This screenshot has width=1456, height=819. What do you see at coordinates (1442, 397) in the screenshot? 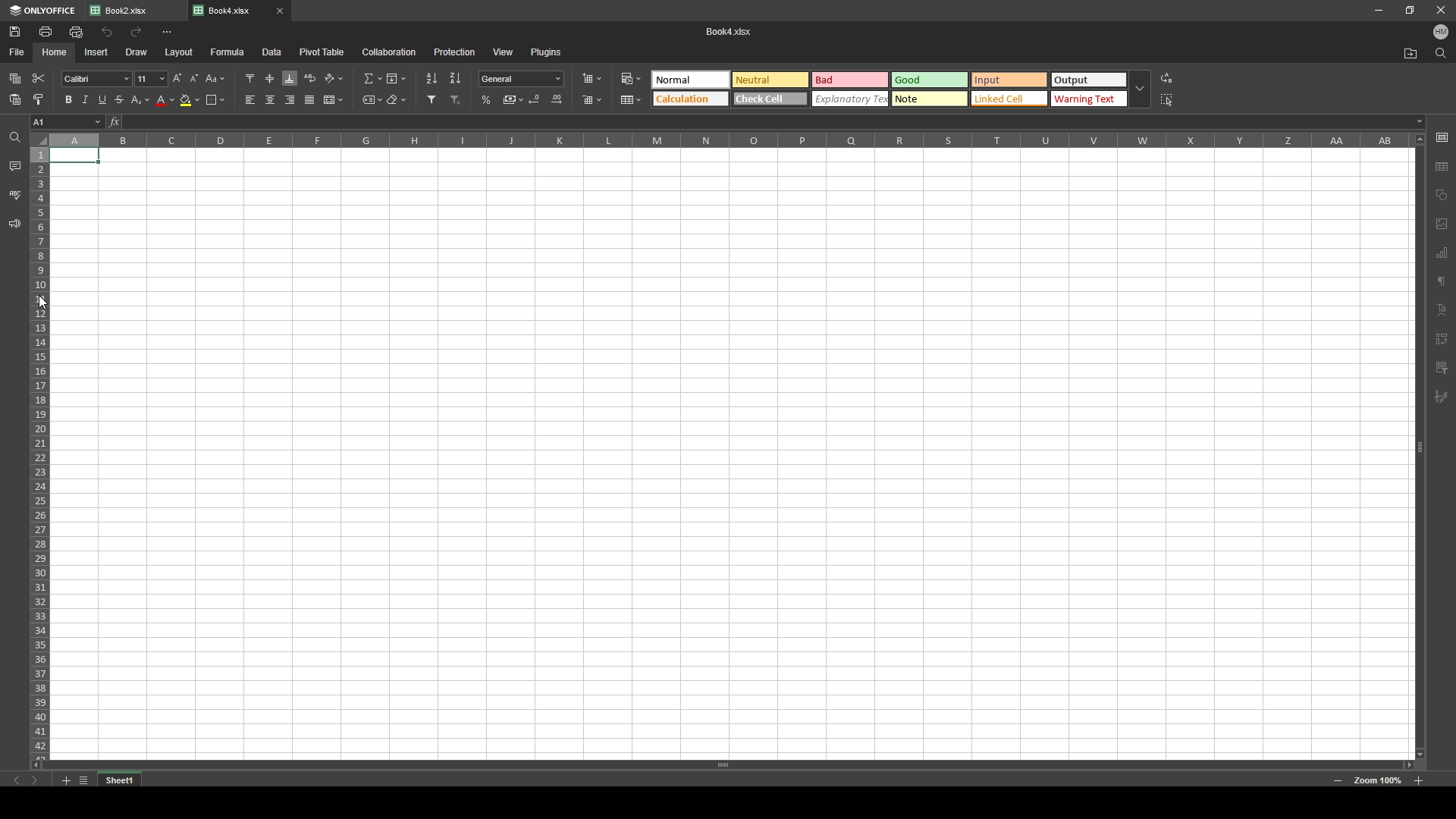
I see `tool brush` at bounding box center [1442, 397].